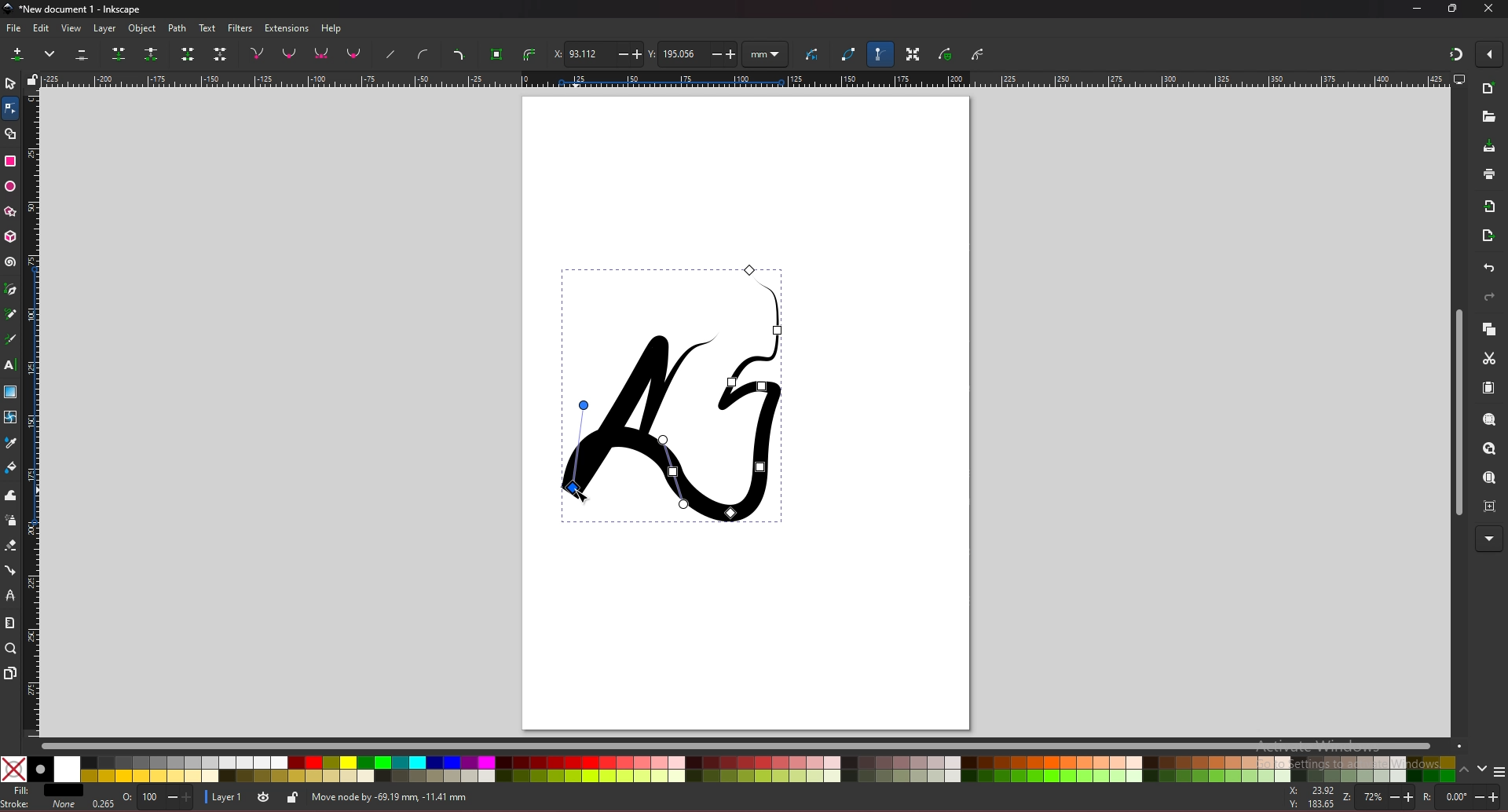 Image resolution: width=1508 pixels, height=812 pixels. I want to click on pages, so click(11, 673).